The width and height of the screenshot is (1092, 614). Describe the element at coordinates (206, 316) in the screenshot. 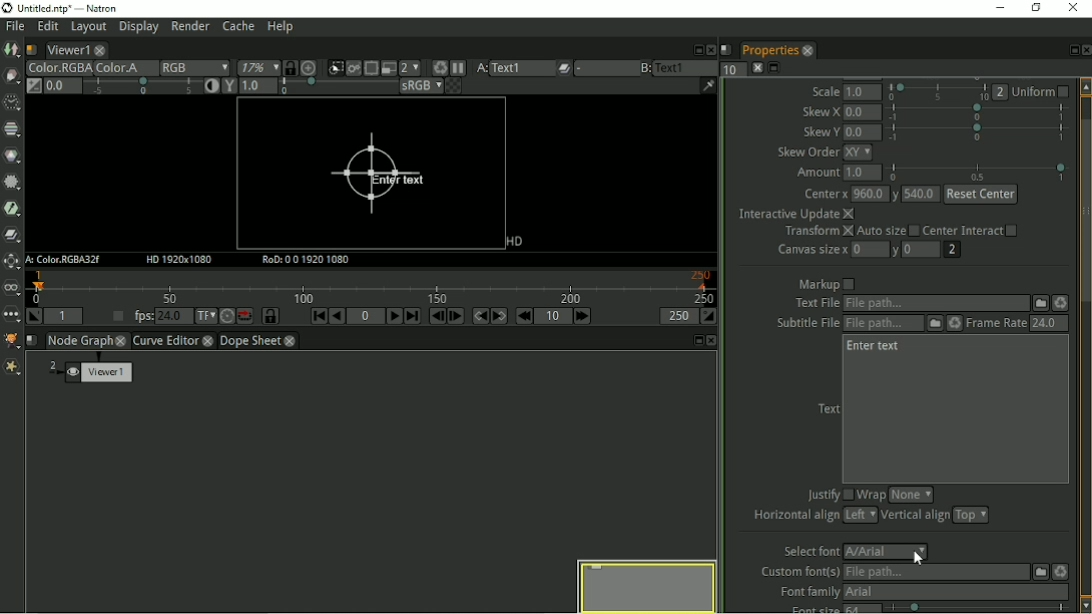

I see `Set the time display format` at that location.